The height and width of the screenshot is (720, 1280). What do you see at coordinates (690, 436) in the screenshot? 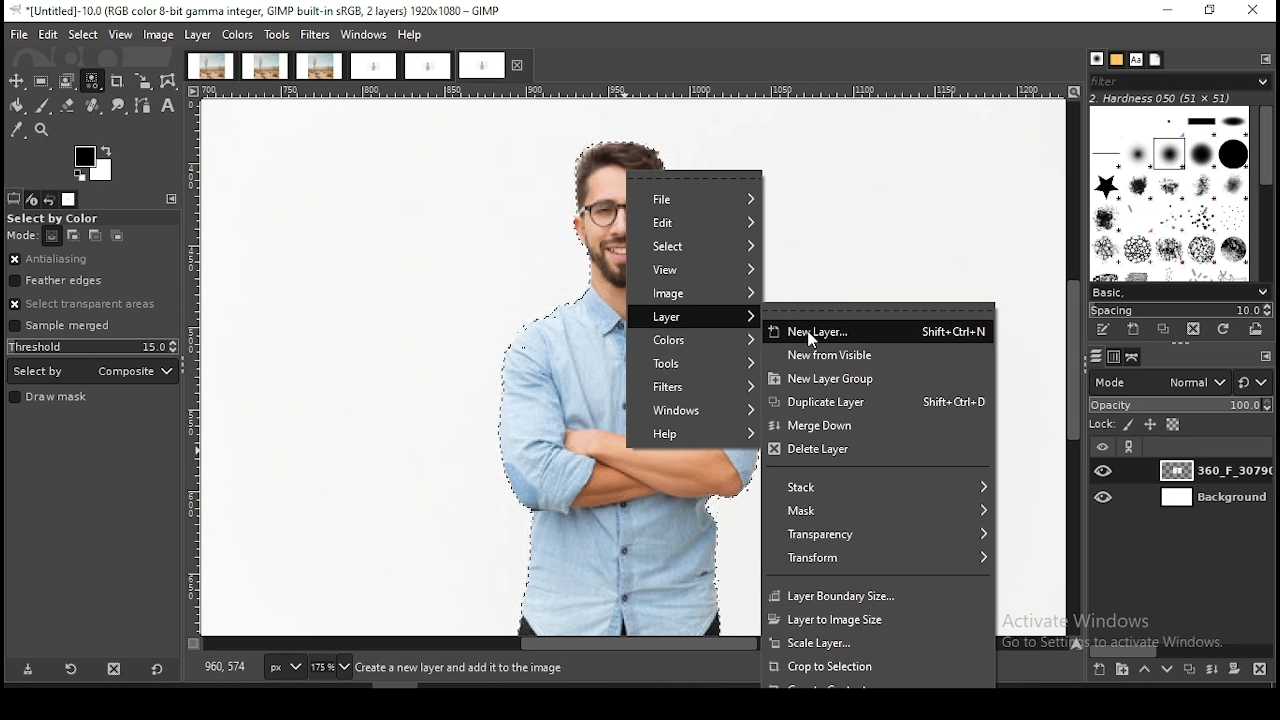
I see `help` at bounding box center [690, 436].